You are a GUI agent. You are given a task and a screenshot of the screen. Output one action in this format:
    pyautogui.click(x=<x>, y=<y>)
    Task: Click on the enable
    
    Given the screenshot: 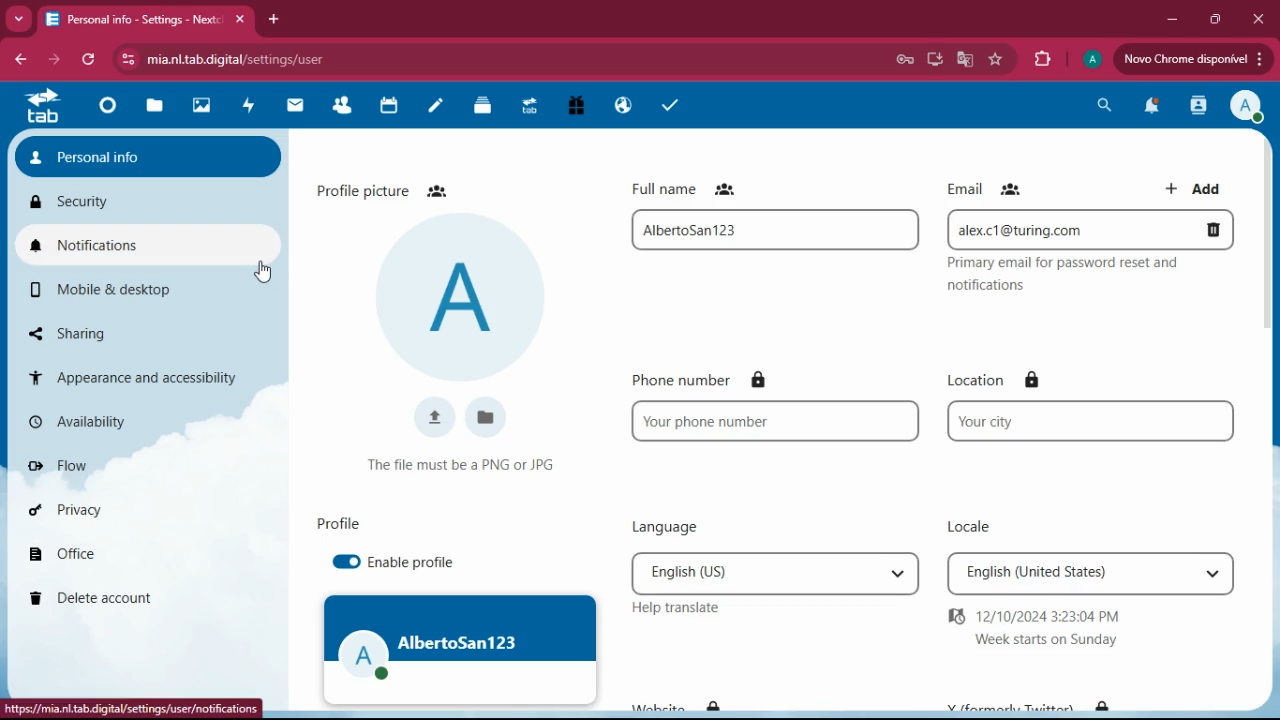 What is the action you would take?
    pyautogui.click(x=410, y=562)
    